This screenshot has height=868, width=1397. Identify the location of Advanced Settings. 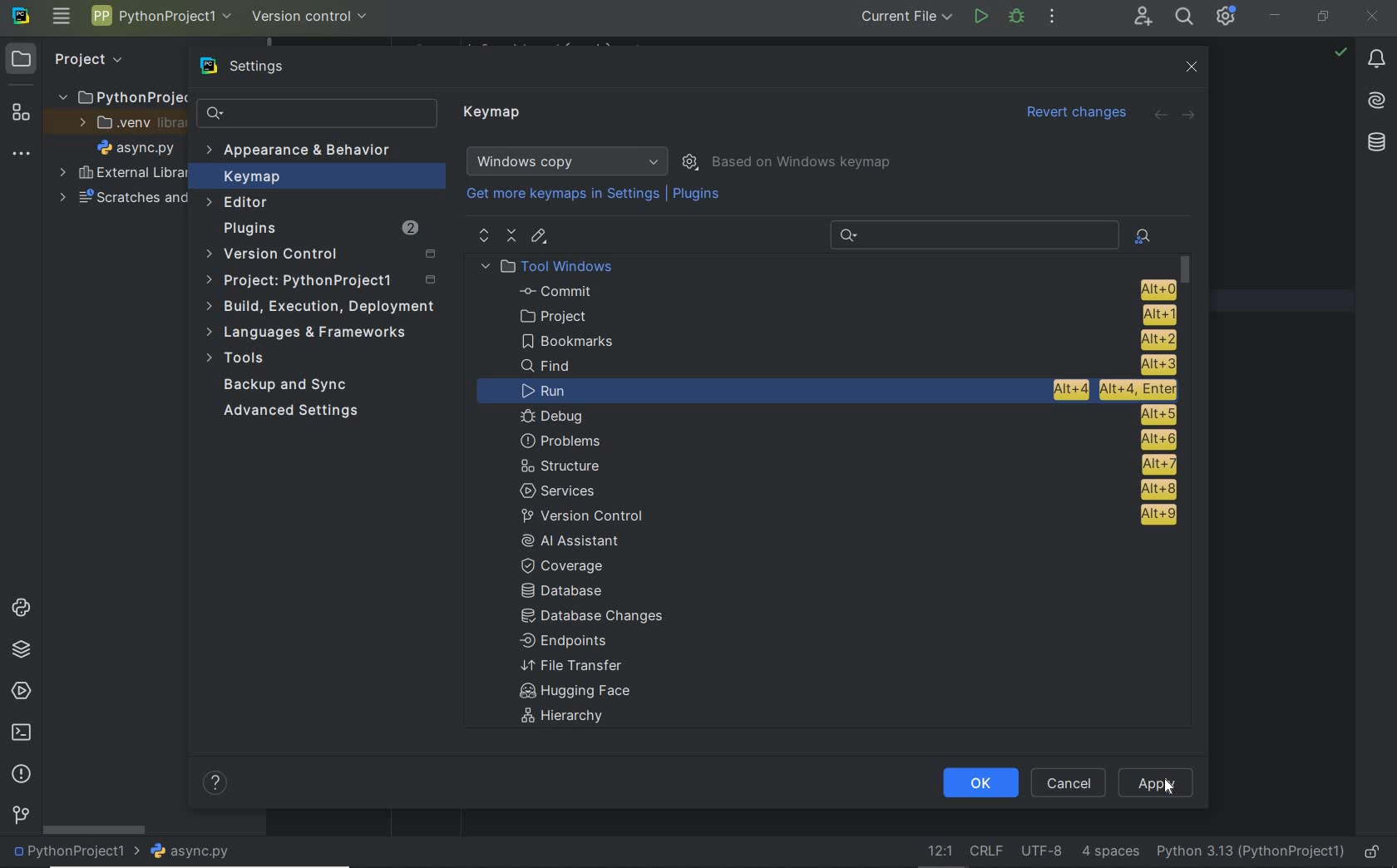
(294, 412).